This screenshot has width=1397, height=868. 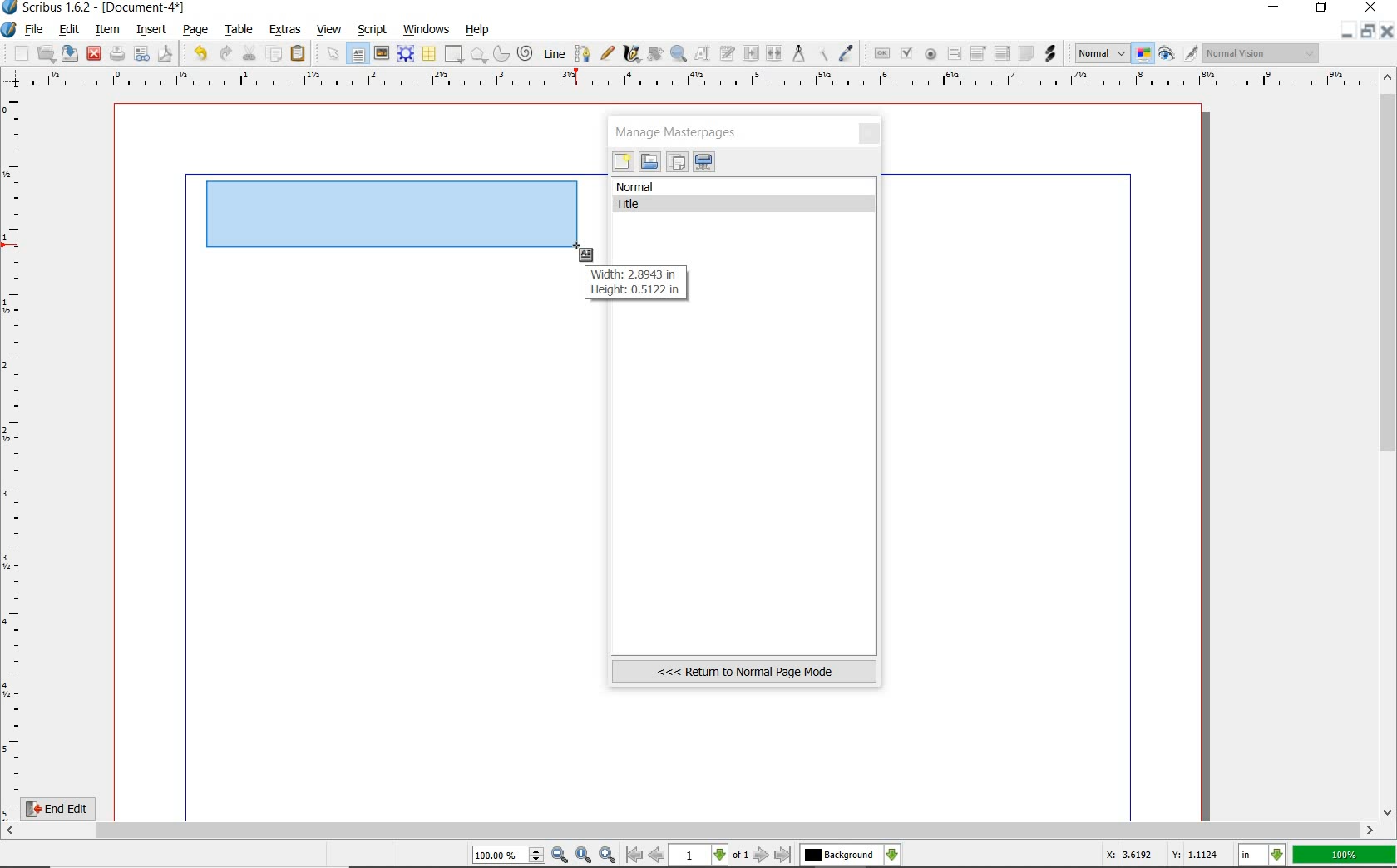 I want to click on polygon, so click(x=478, y=56).